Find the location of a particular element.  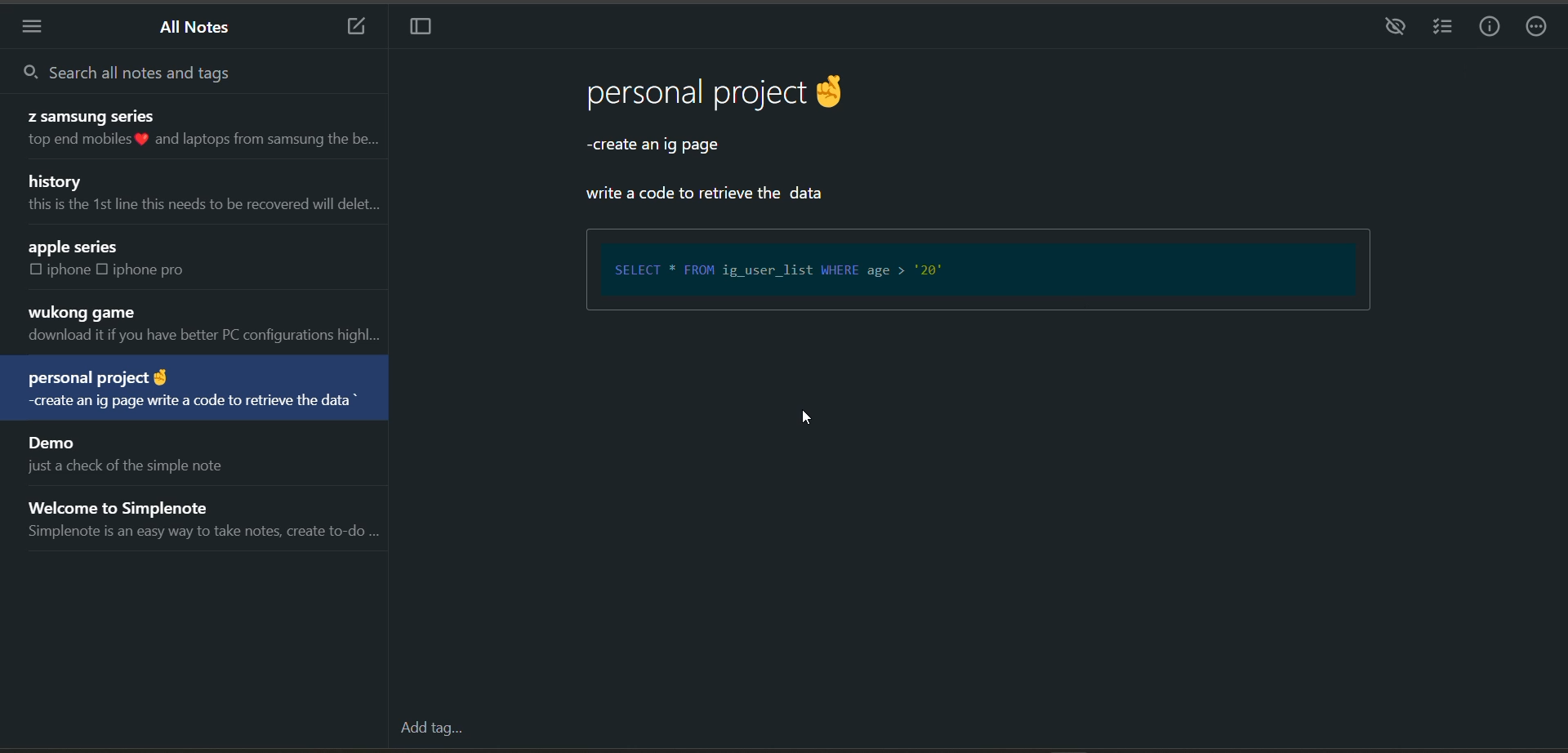

add new note is located at coordinates (348, 28).